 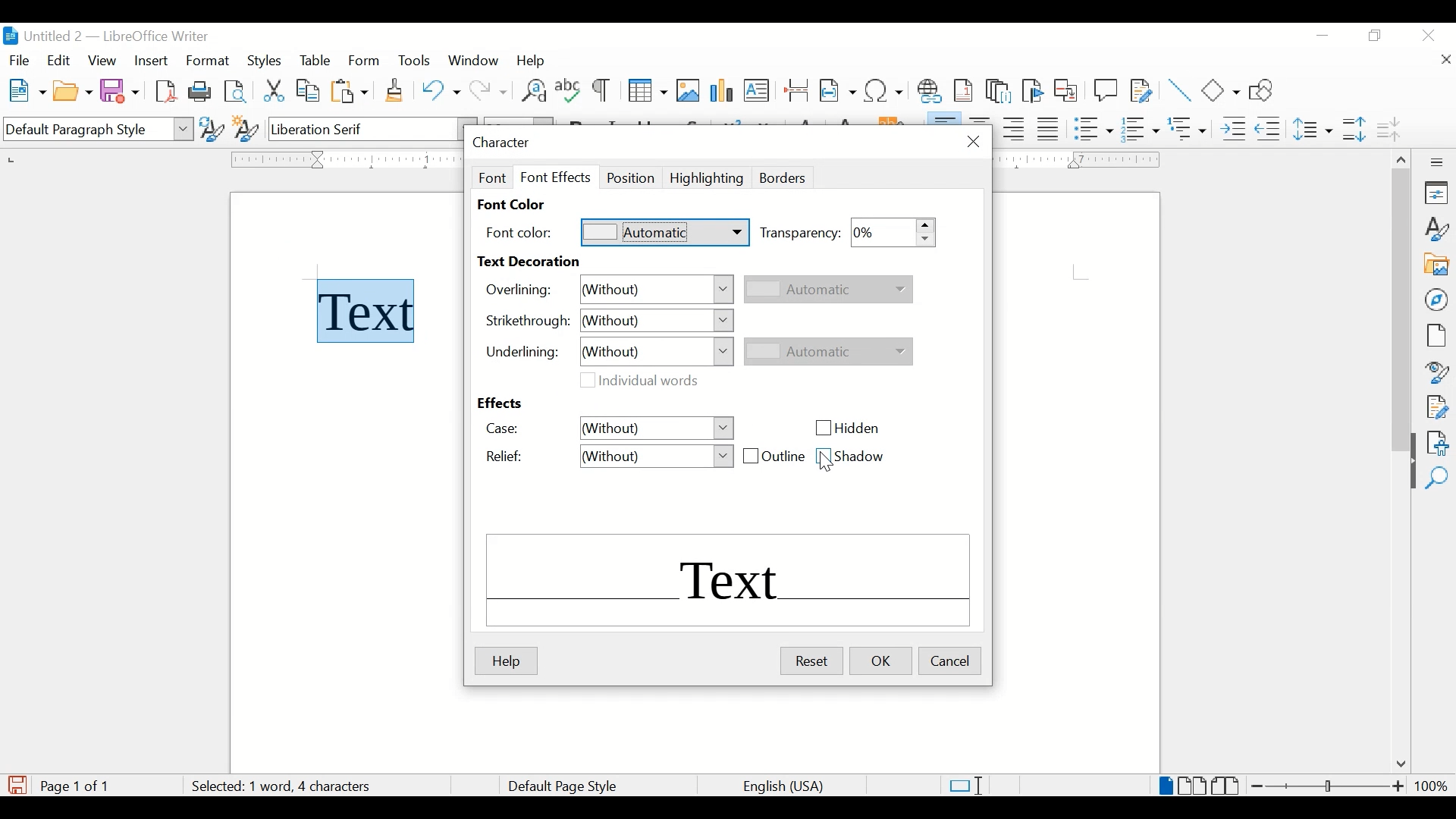 I want to click on export directly as pdf, so click(x=168, y=92).